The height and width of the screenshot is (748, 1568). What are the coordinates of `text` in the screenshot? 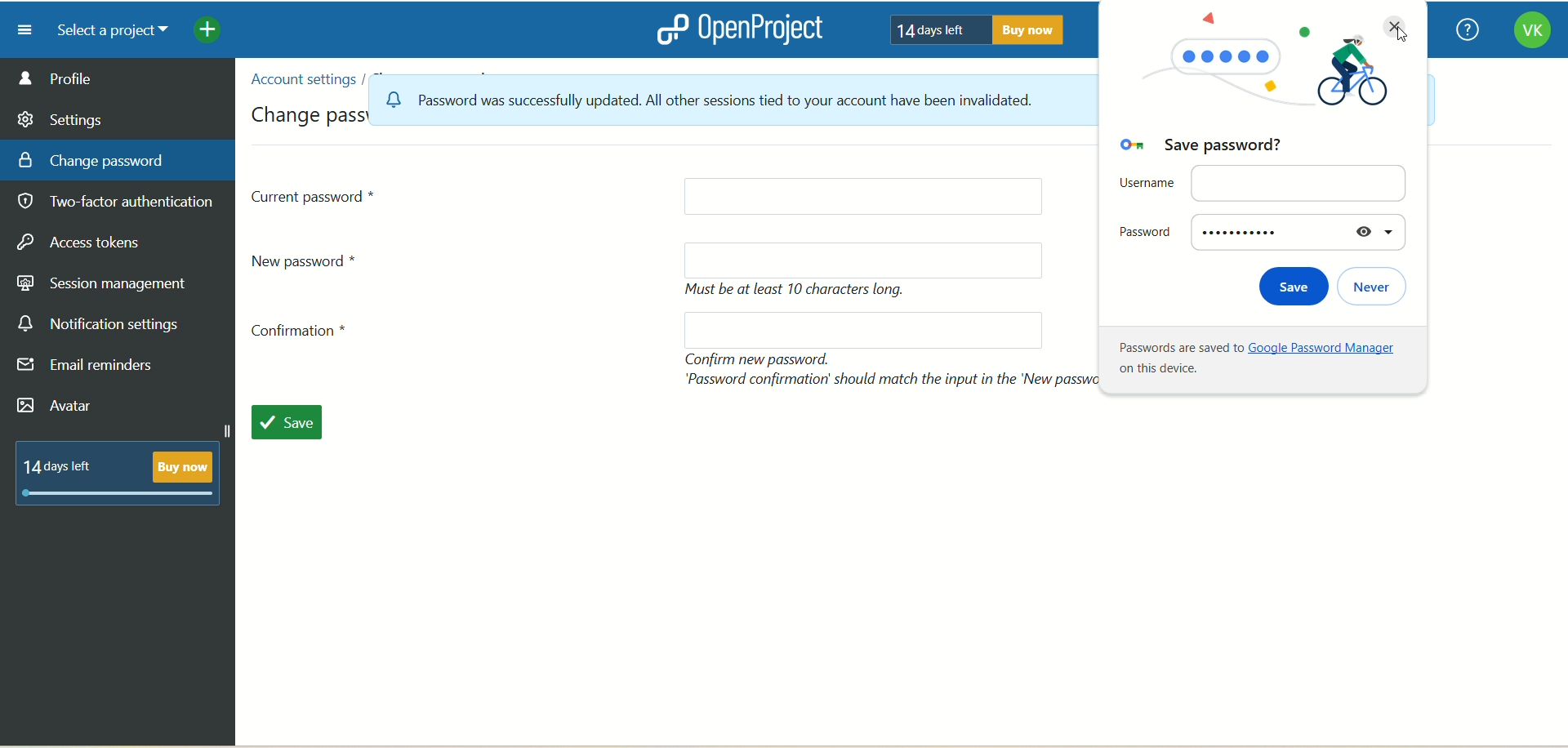 It's located at (125, 470).